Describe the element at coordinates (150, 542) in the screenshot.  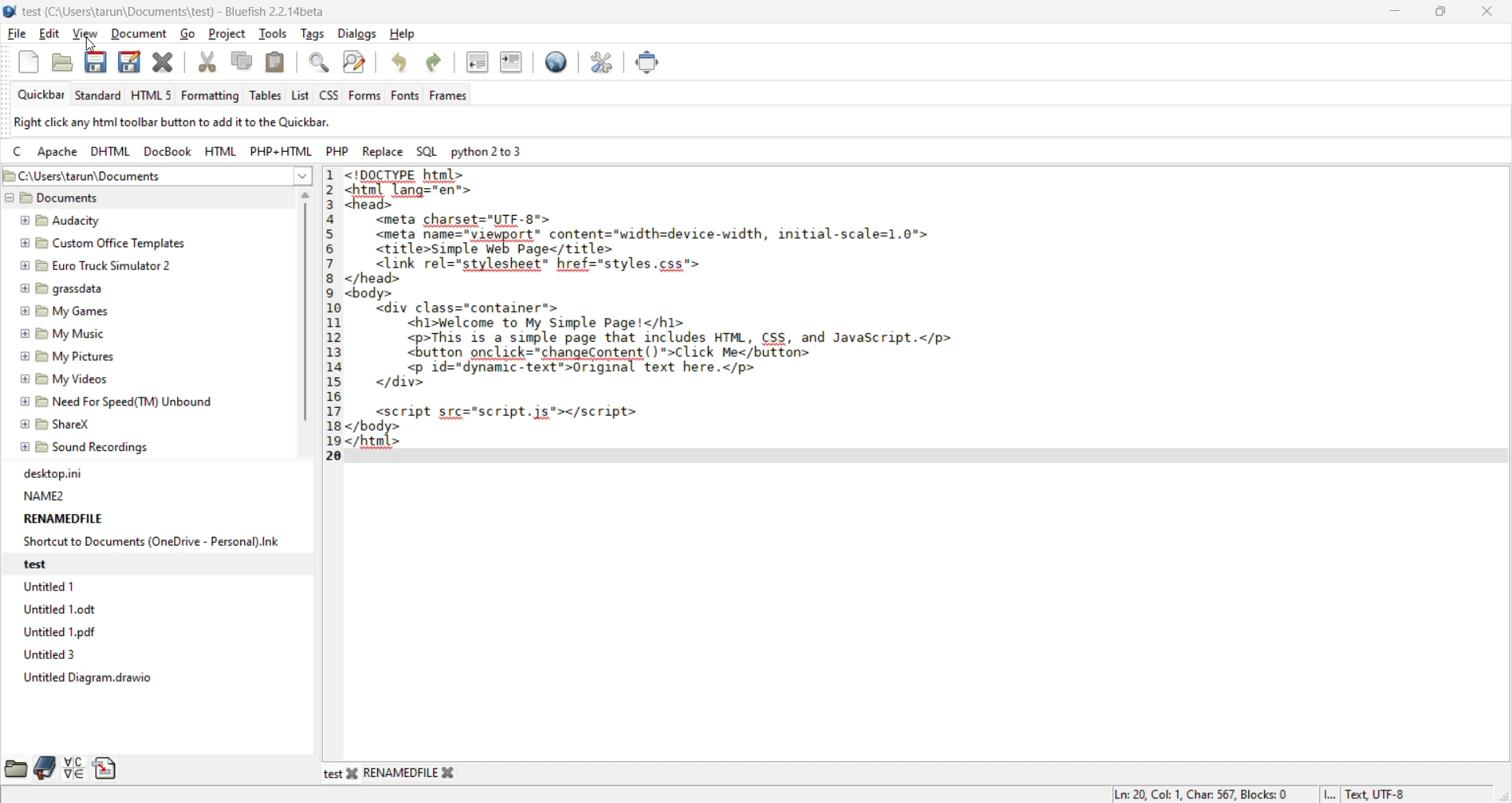
I see `Shortcut to Documents (OneDrive - Personal).Ink` at that location.